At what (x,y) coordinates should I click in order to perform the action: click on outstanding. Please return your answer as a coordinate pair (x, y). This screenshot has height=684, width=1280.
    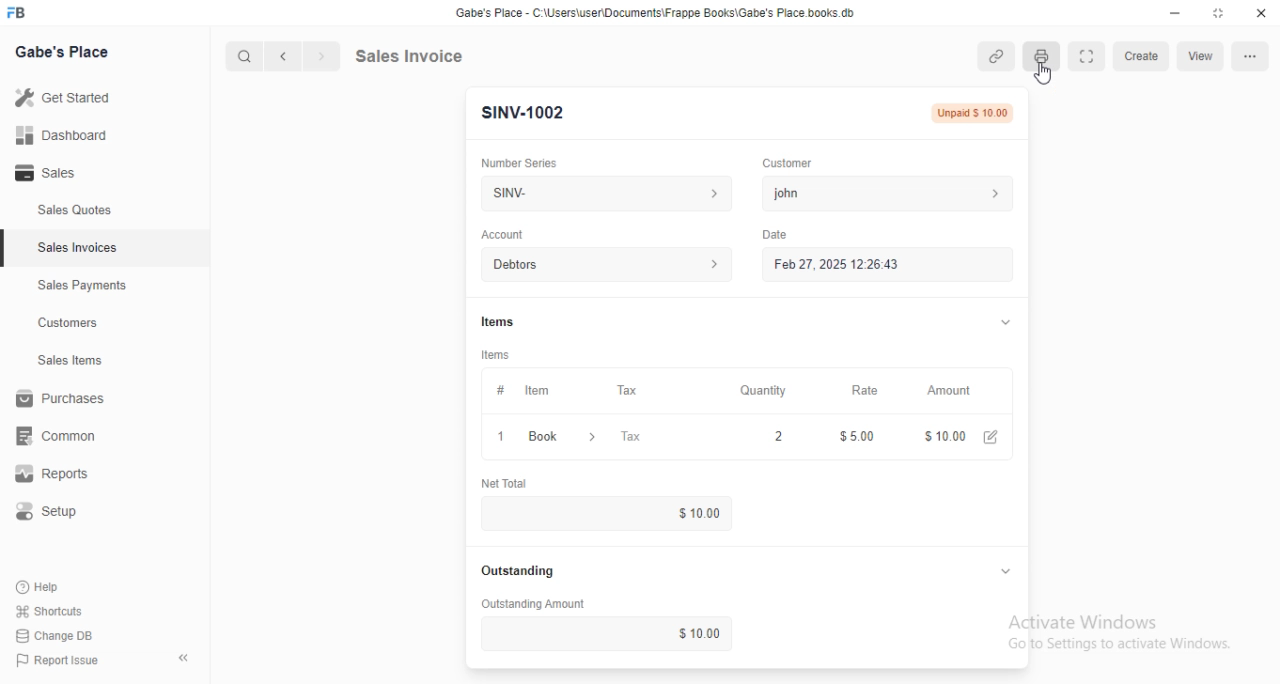
    Looking at the image, I should click on (519, 571).